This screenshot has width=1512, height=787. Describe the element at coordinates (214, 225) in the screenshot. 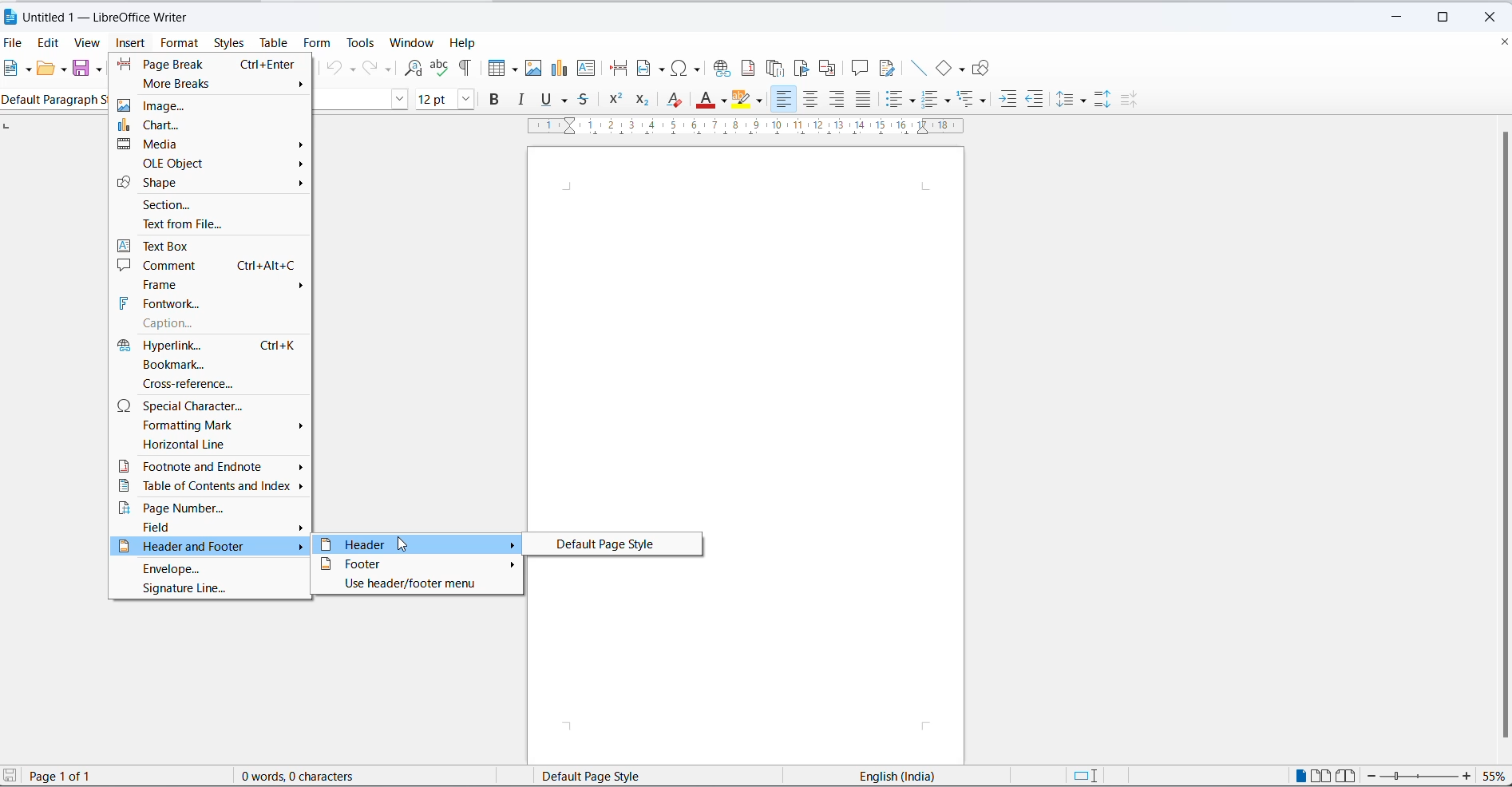

I see `text from file` at that location.